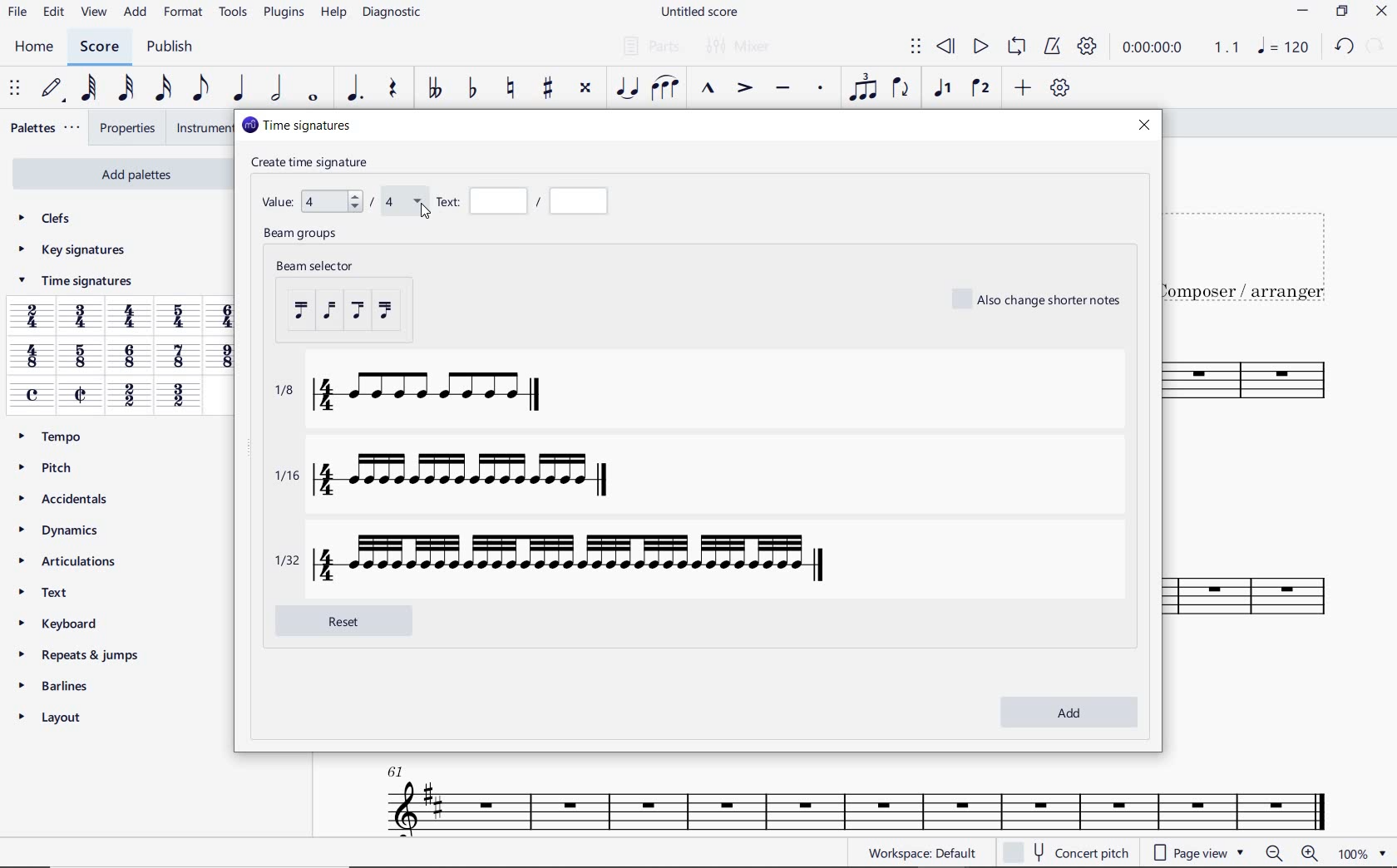 This screenshot has height=868, width=1397. I want to click on TOGGLE SHARP, so click(545, 90).